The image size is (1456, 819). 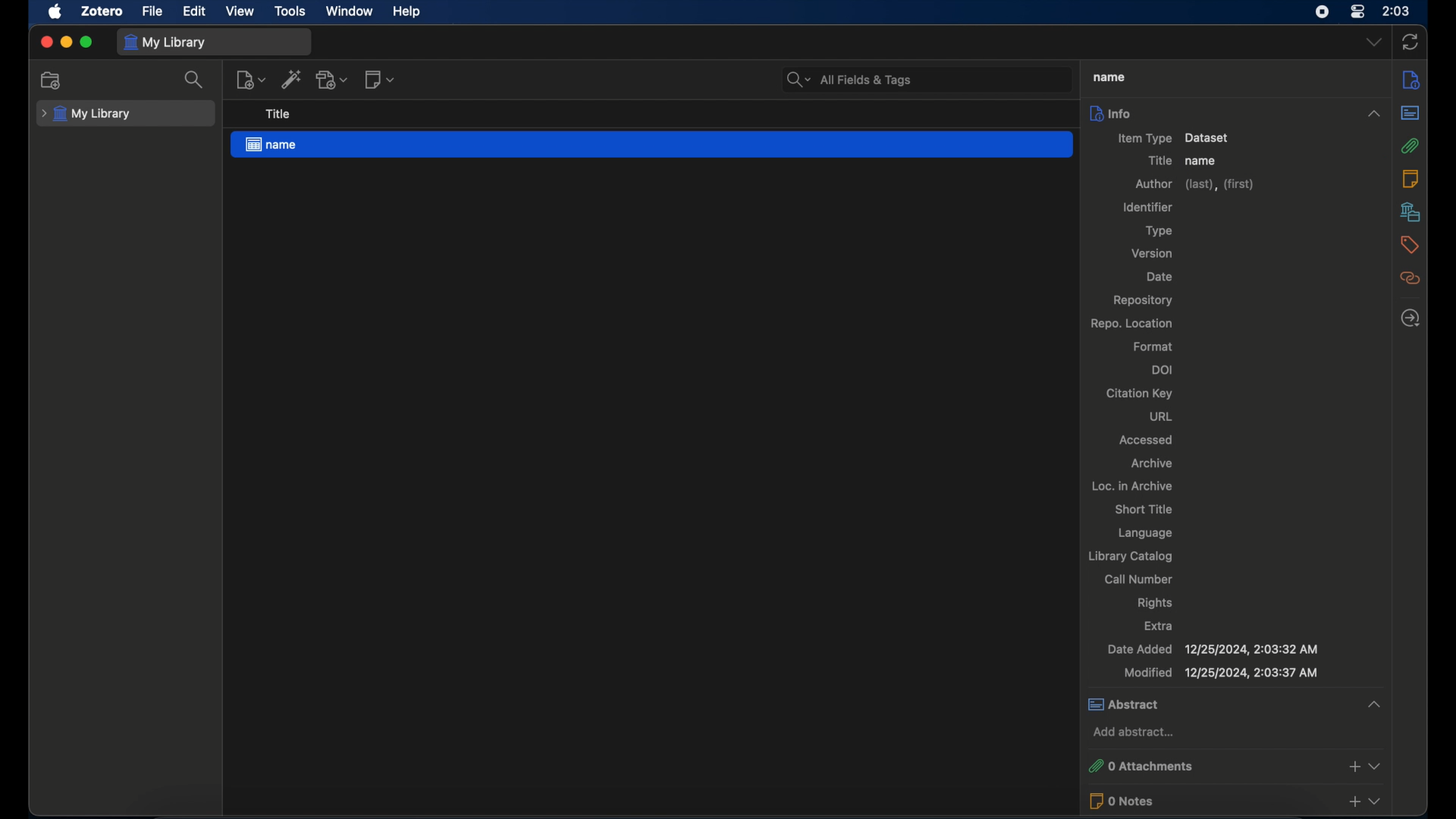 I want to click on loc. in archive, so click(x=1133, y=487).